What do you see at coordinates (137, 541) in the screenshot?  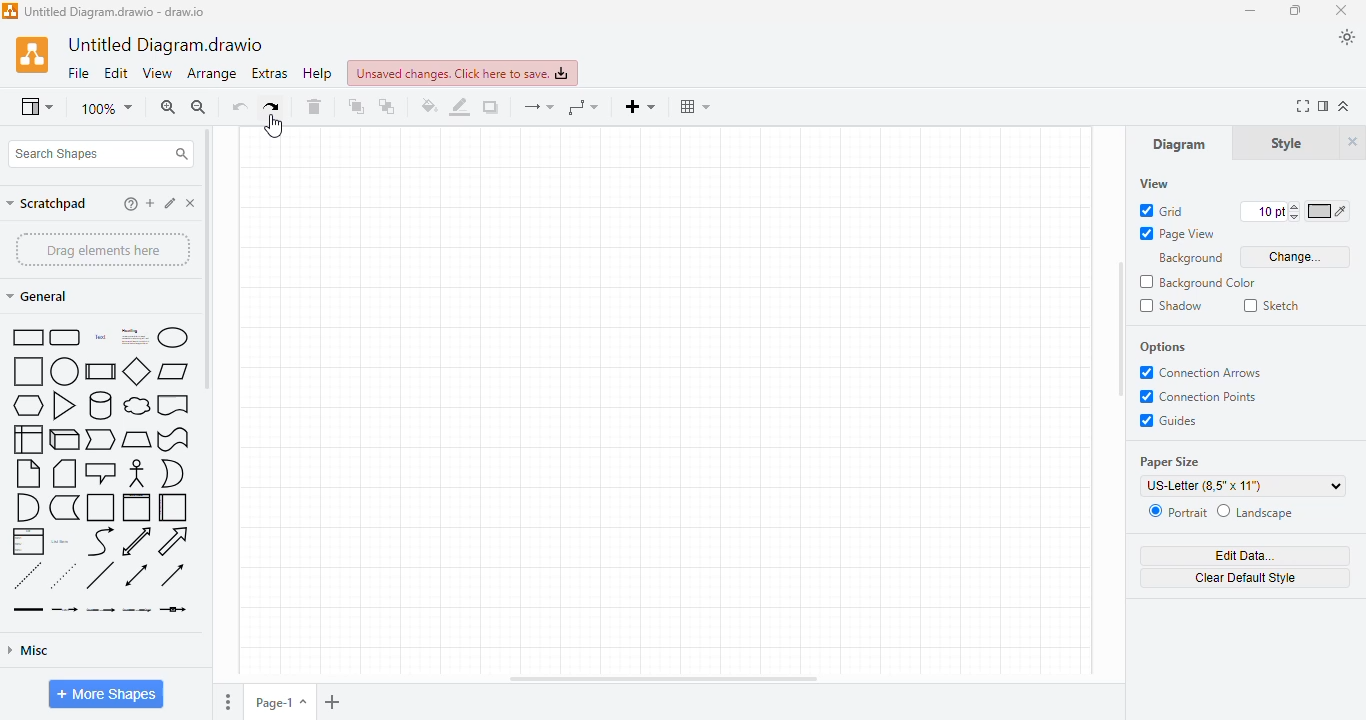 I see `bidirectional arrow` at bounding box center [137, 541].